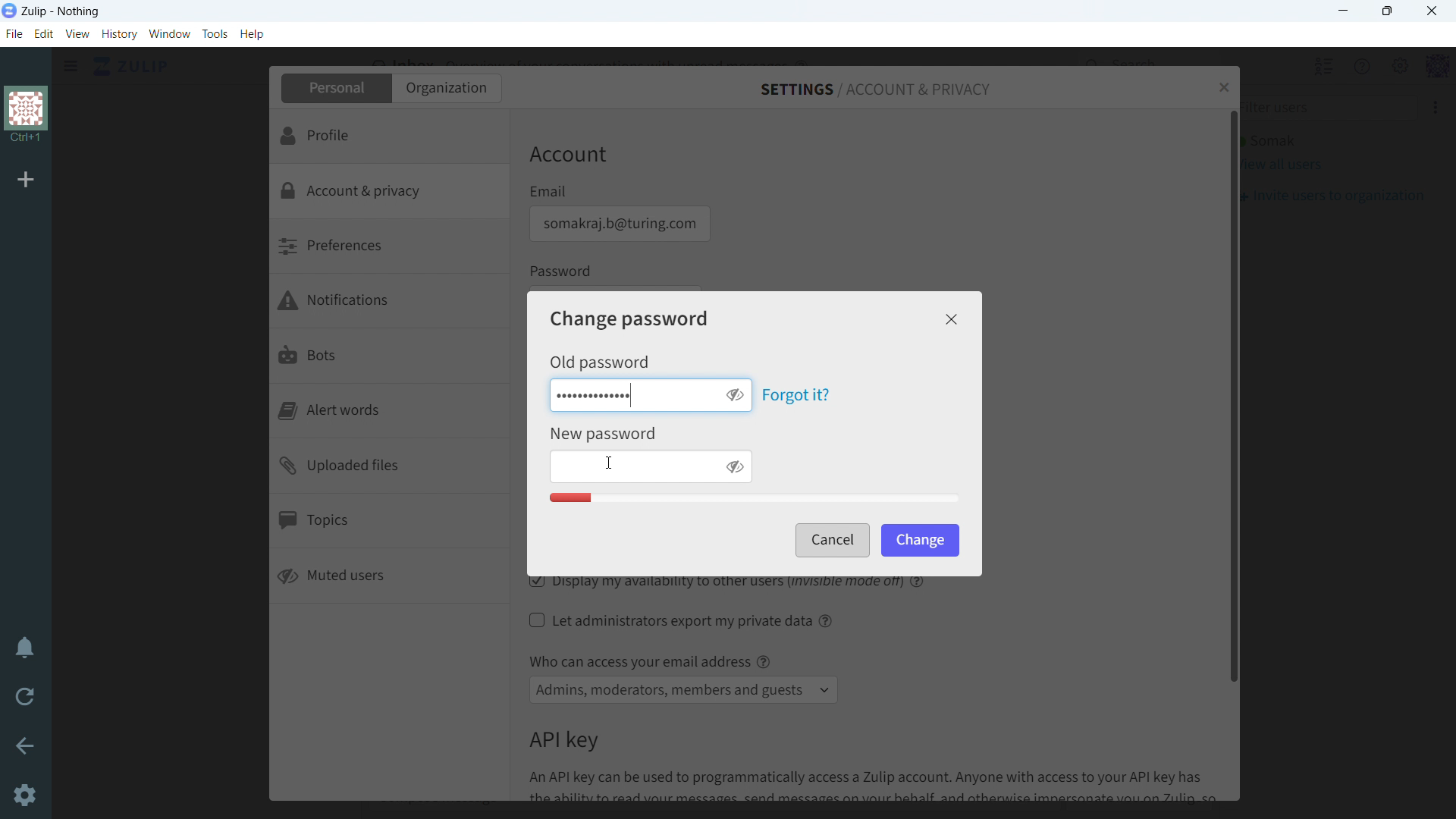 This screenshot has width=1456, height=819. I want to click on title, so click(61, 11).